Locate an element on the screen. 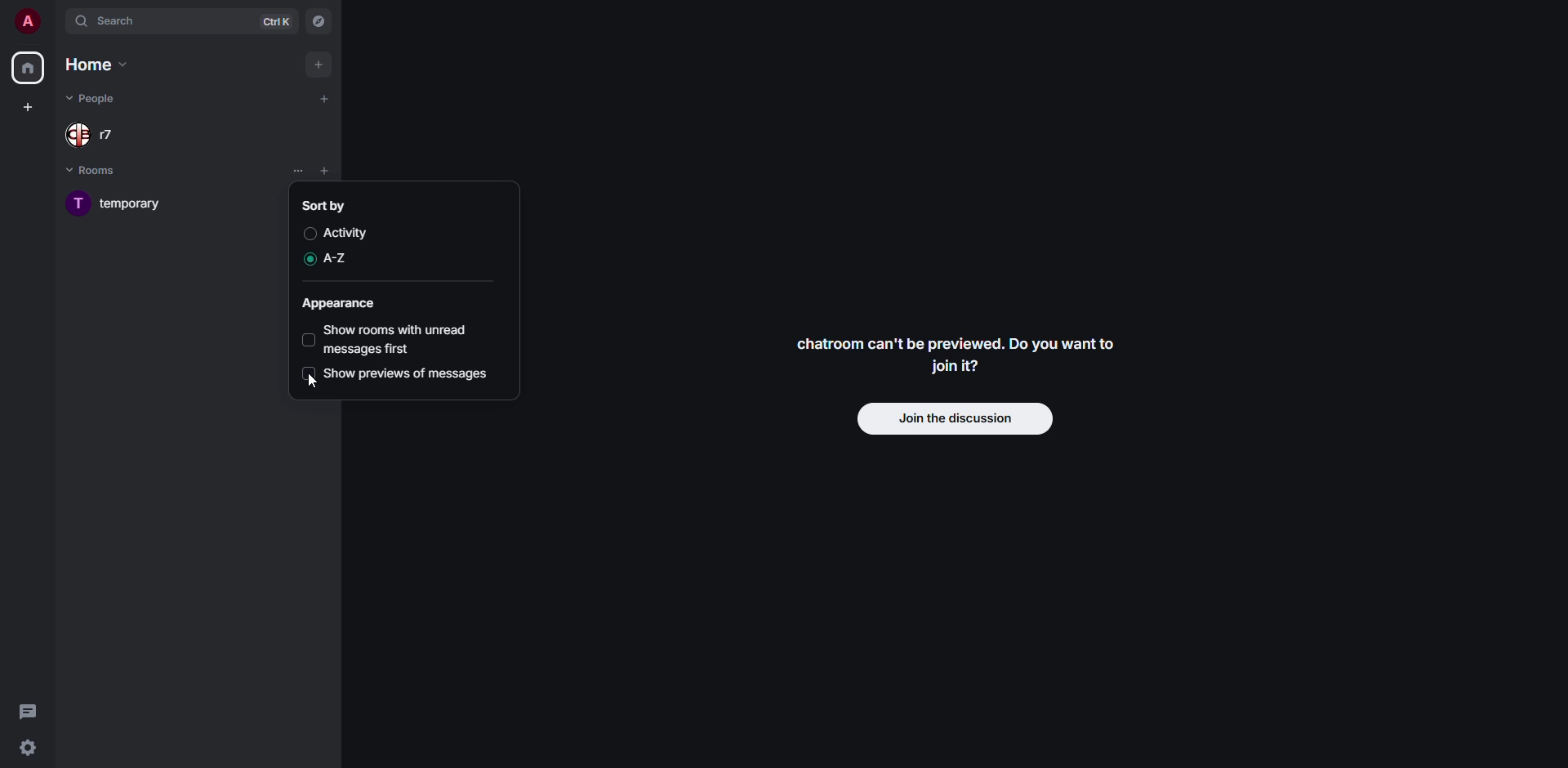 The image size is (1568, 768). room is located at coordinates (114, 204).